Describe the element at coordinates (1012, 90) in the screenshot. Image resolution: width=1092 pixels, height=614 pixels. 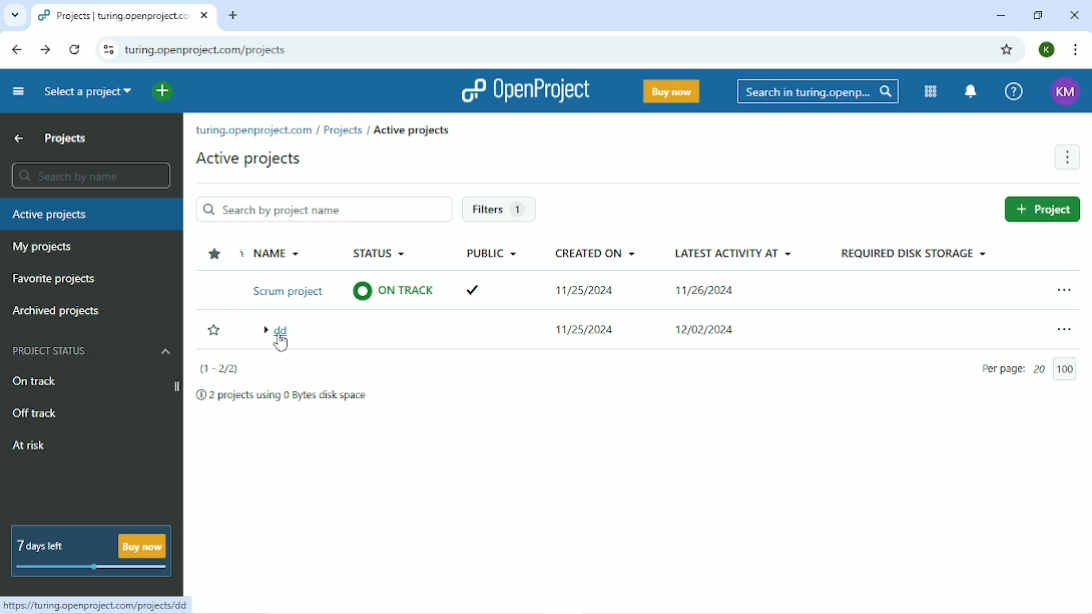
I see `Help` at that location.